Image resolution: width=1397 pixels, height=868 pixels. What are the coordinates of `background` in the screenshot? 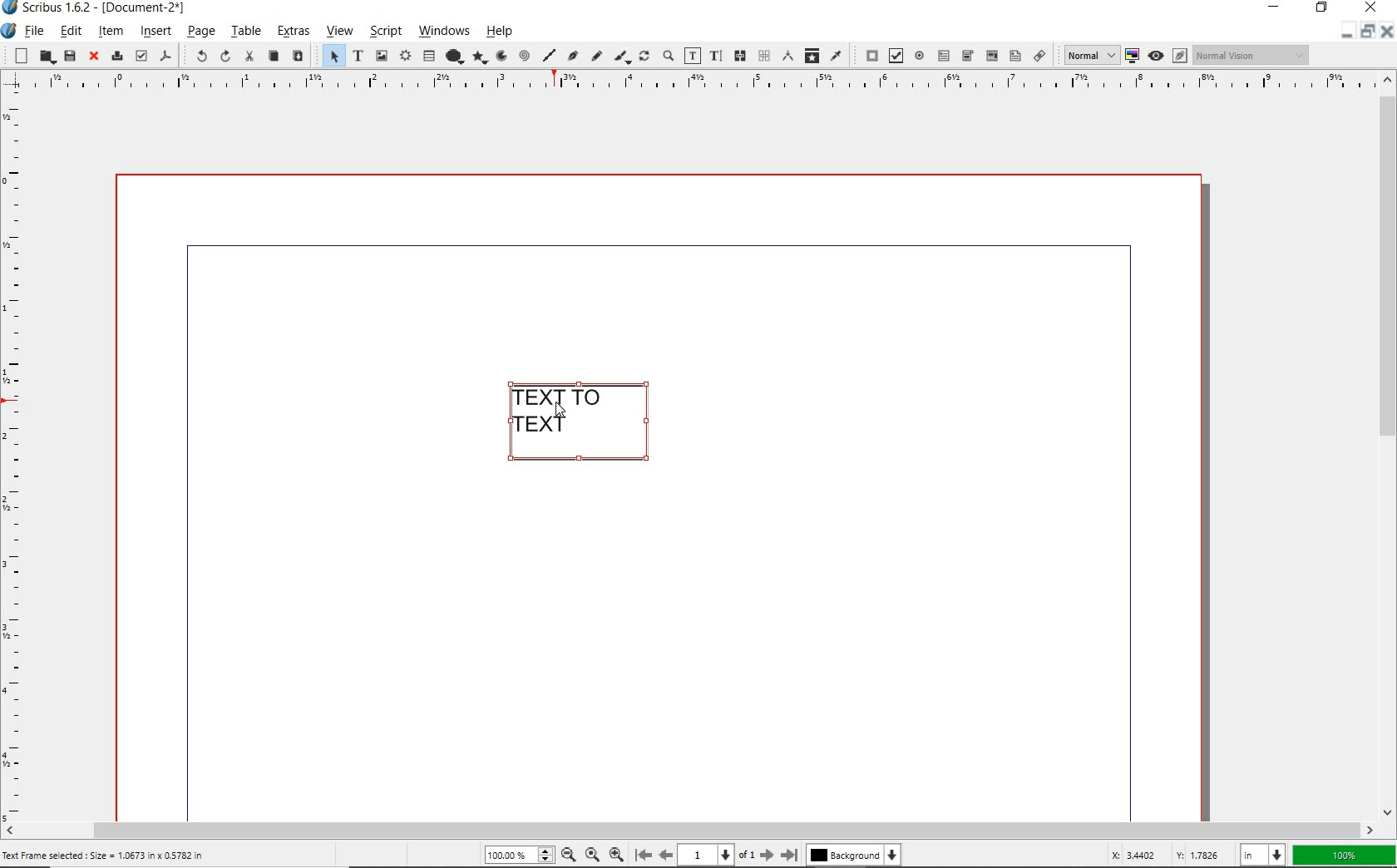 It's located at (857, 857).